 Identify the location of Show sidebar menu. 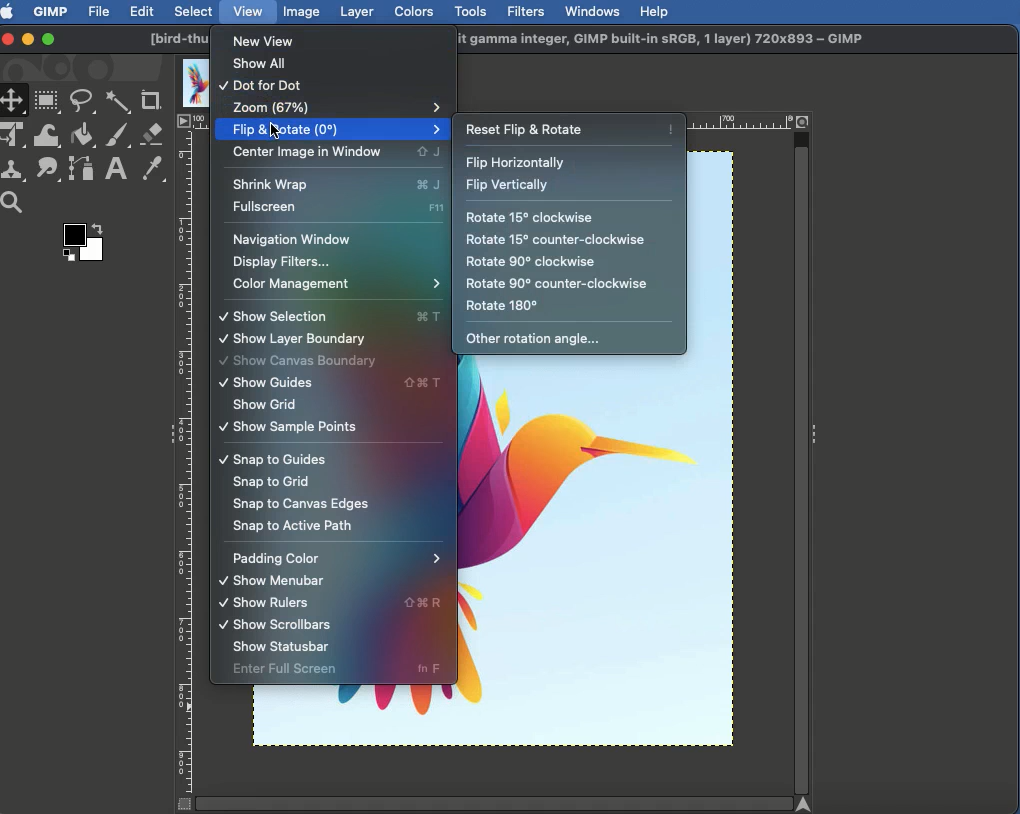
(817, 430).